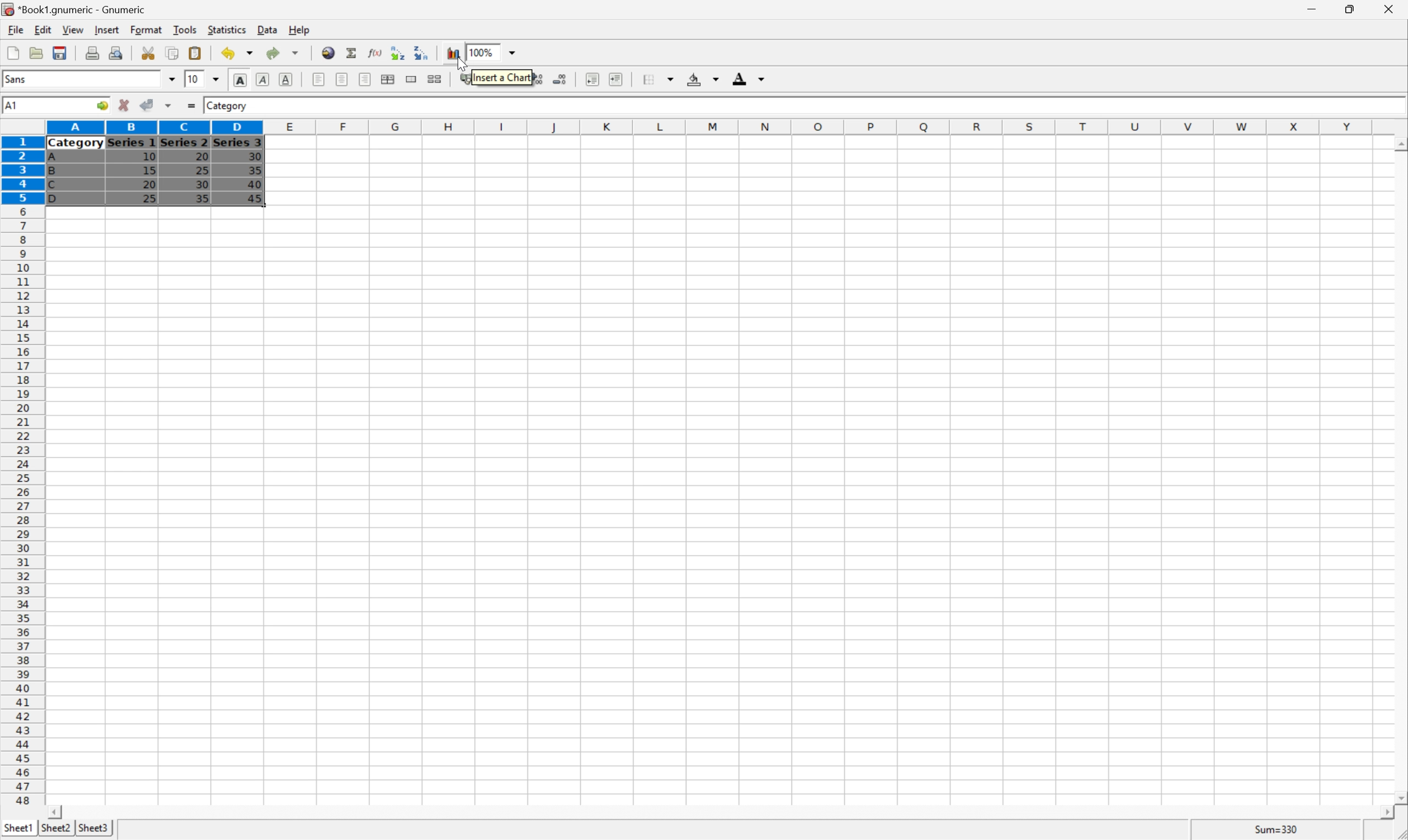  Describe the element at coordinates (146, 29) in the screenshot. I see `Format` at that location.